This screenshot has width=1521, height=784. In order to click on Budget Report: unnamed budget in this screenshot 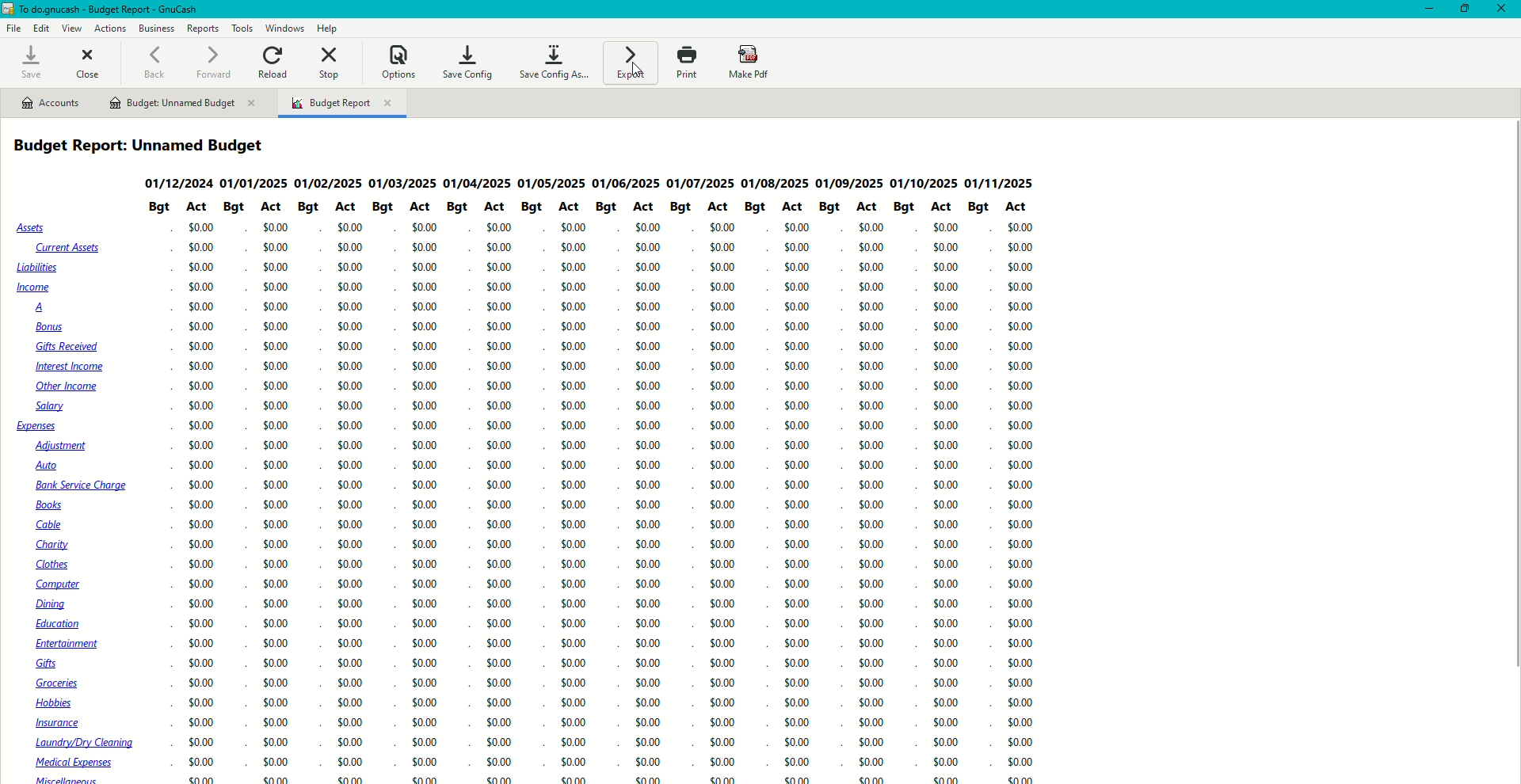, I will do `click(147, 146)`.